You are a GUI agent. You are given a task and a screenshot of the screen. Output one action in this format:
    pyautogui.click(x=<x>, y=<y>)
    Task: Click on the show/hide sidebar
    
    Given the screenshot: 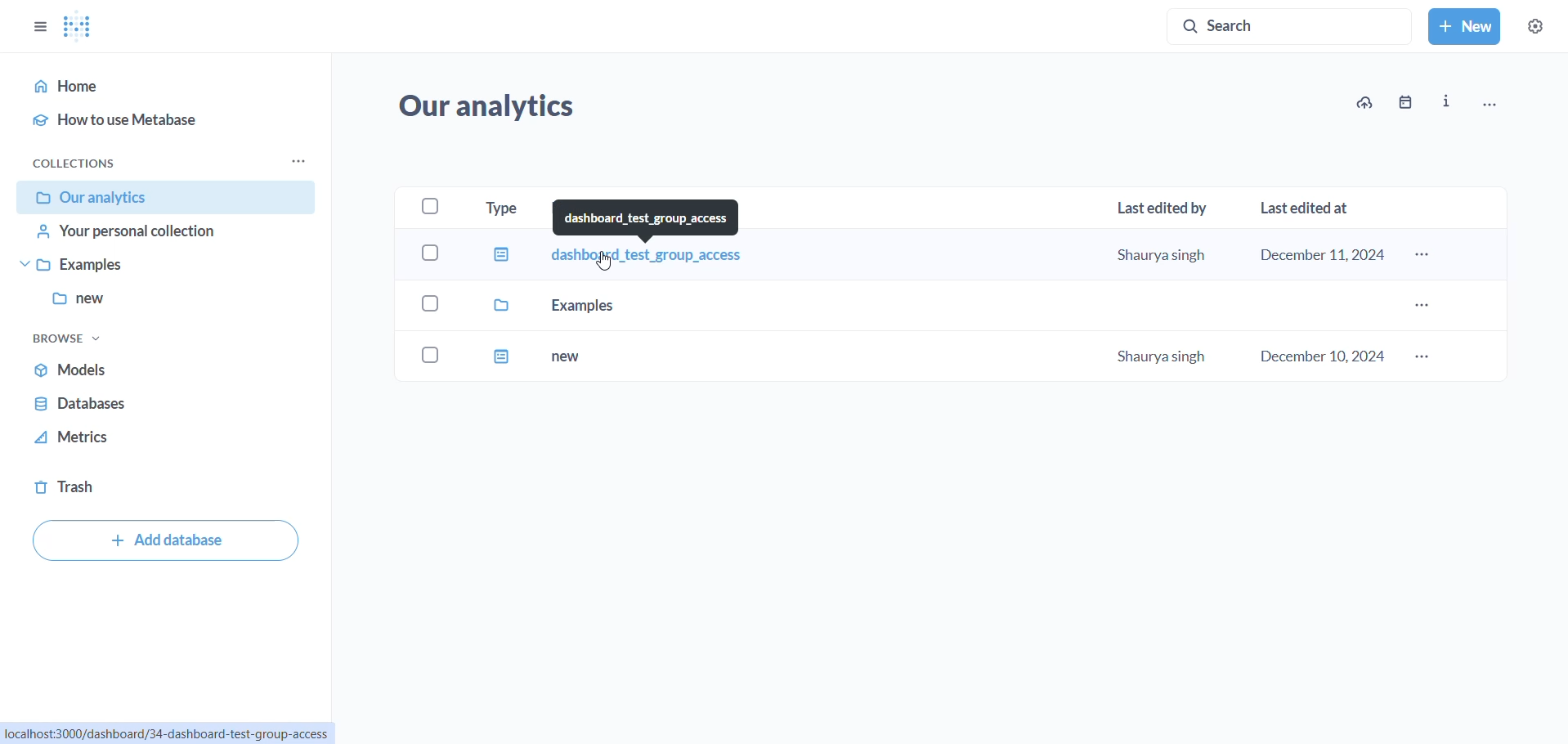 What is the action you would take?
    pyautogui.click(x=35, y=25)
    